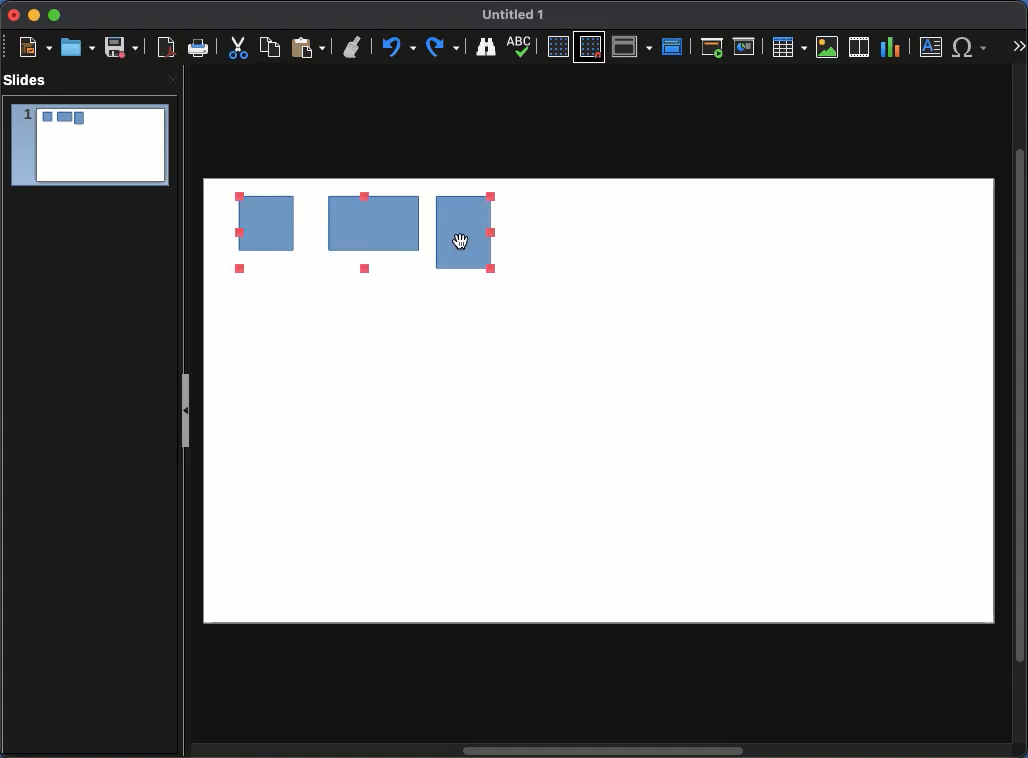 The height and width of the screenshot is (758, 1028). Describe the element at coordinates (932, 47) in the screenshot. I see `Text box` at that location.